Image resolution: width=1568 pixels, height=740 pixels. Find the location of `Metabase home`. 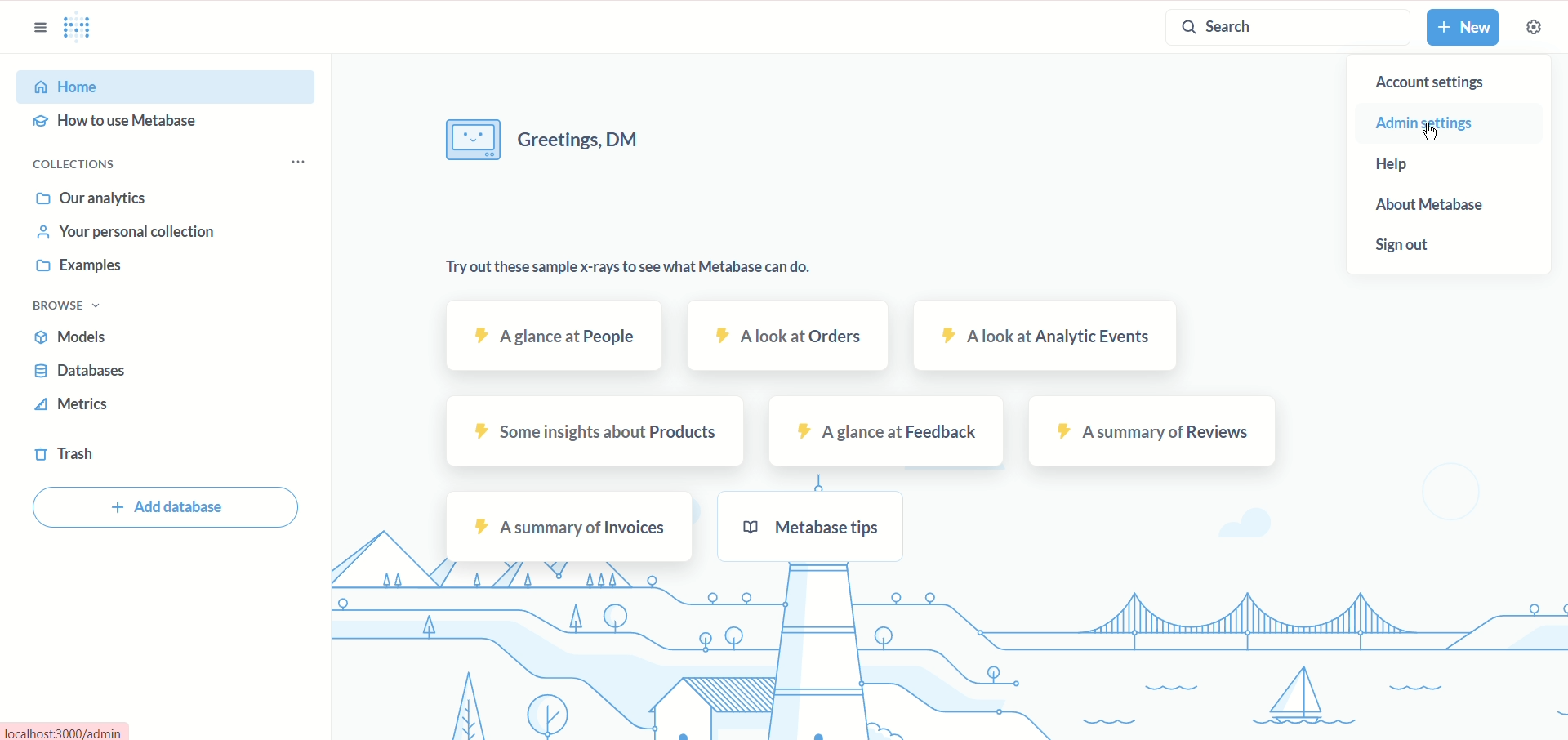

Metabase home is located at coordinates (82, 29).